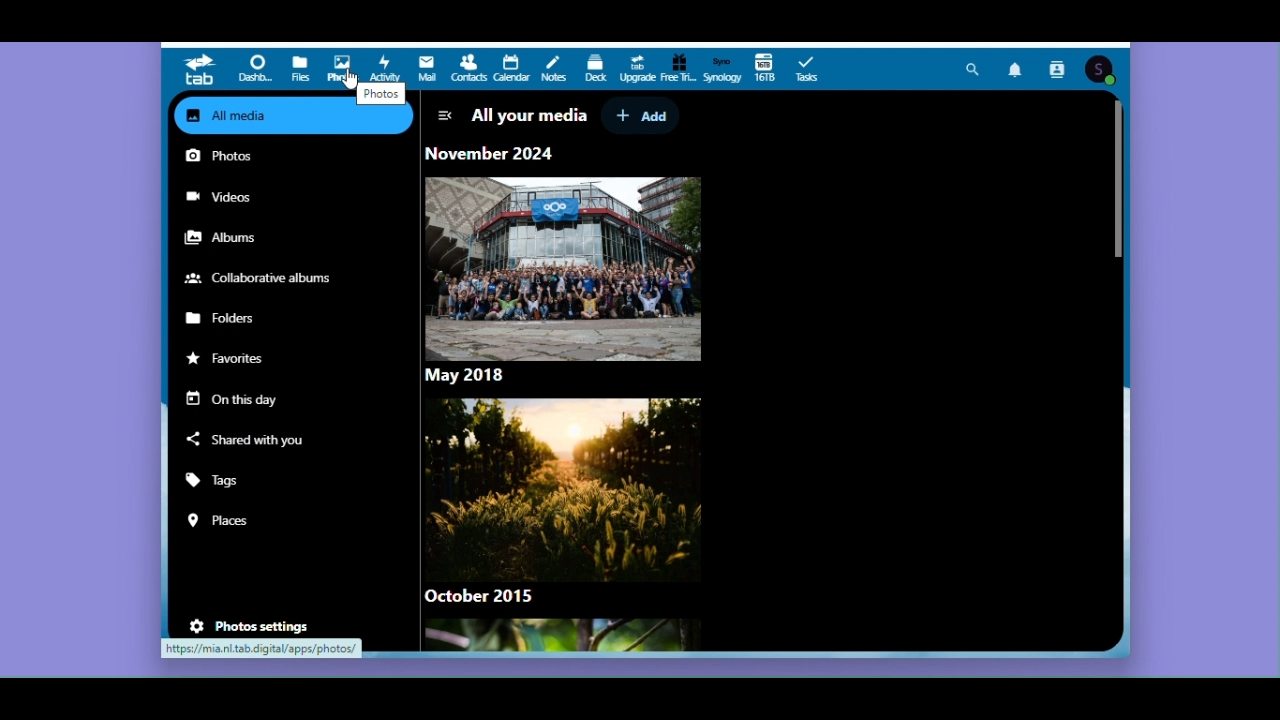 The height and width of the screenshot is (720, 1280). I want to click on Photos, so click(242, 156).